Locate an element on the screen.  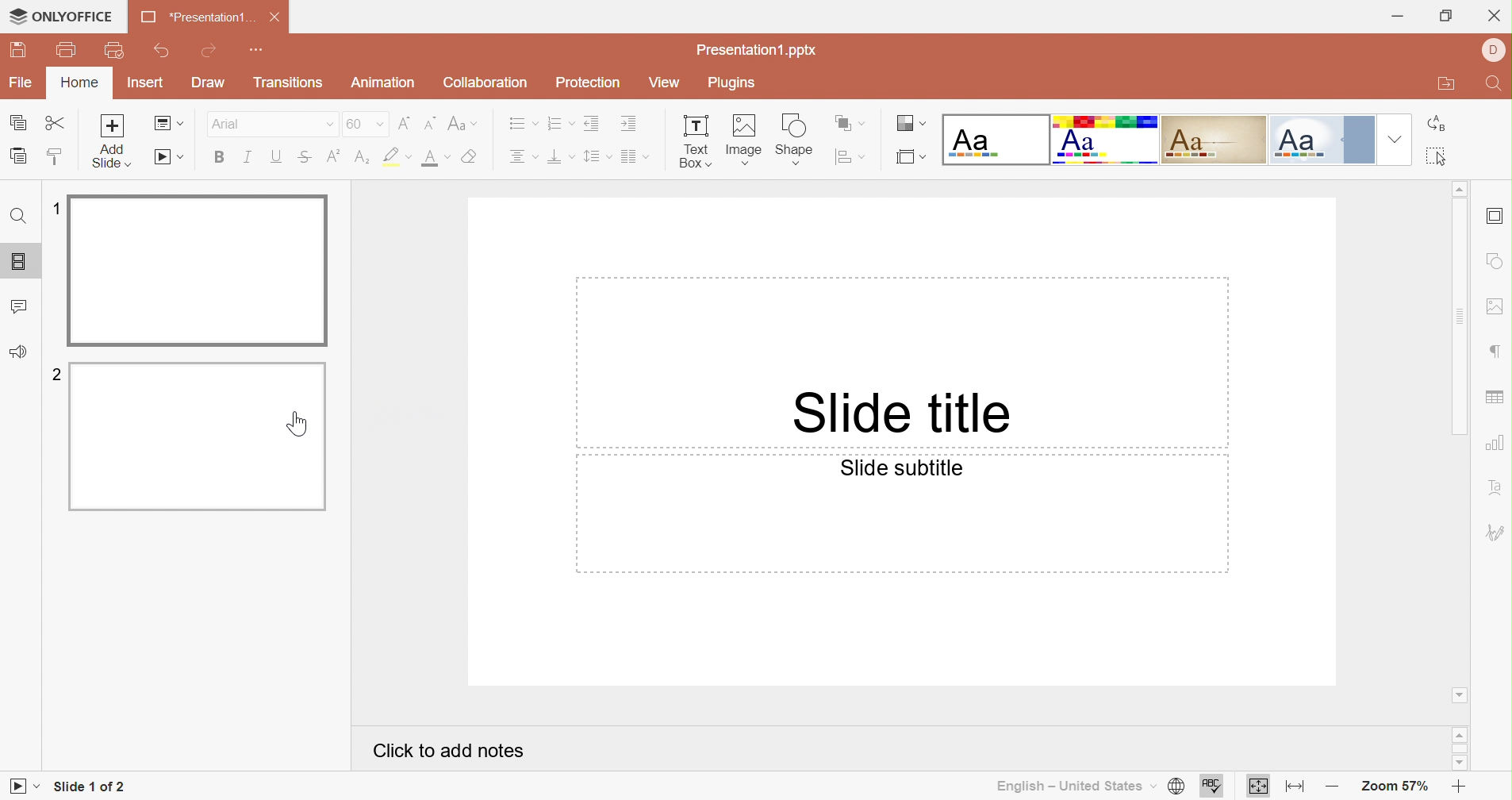
Align Bottom is located at coordinates (561, 159).